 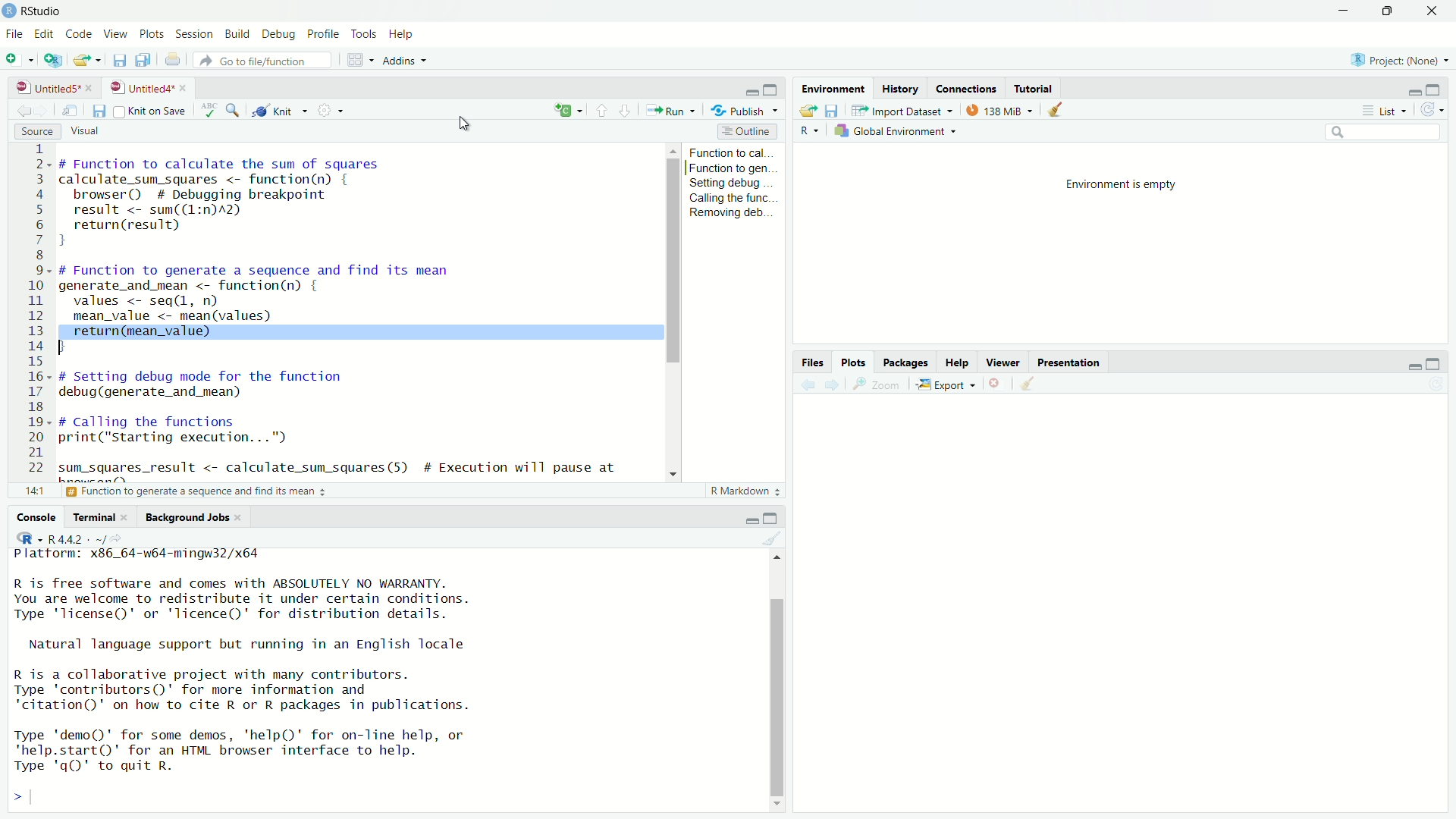 I want to click on view a larger version of the plot in new window, so click(x=881, y=384).